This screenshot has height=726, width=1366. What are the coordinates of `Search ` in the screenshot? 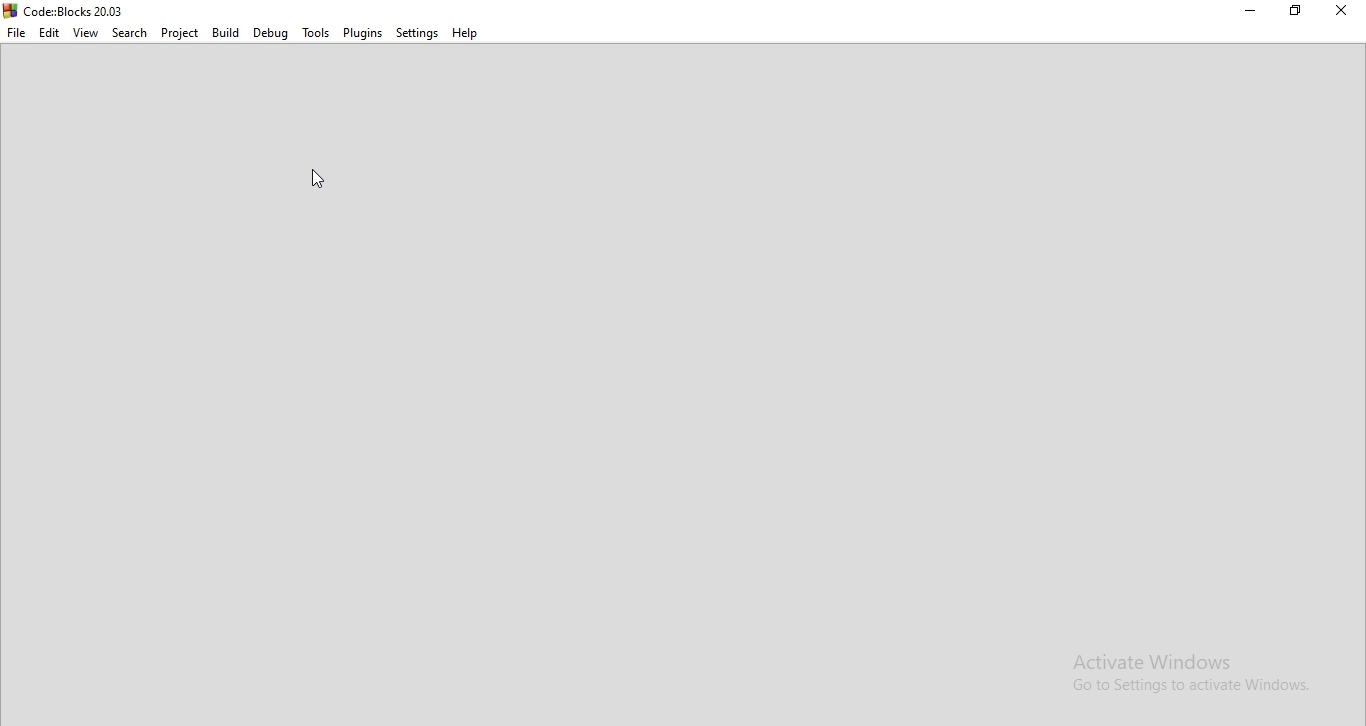 It's located at (128, 33).